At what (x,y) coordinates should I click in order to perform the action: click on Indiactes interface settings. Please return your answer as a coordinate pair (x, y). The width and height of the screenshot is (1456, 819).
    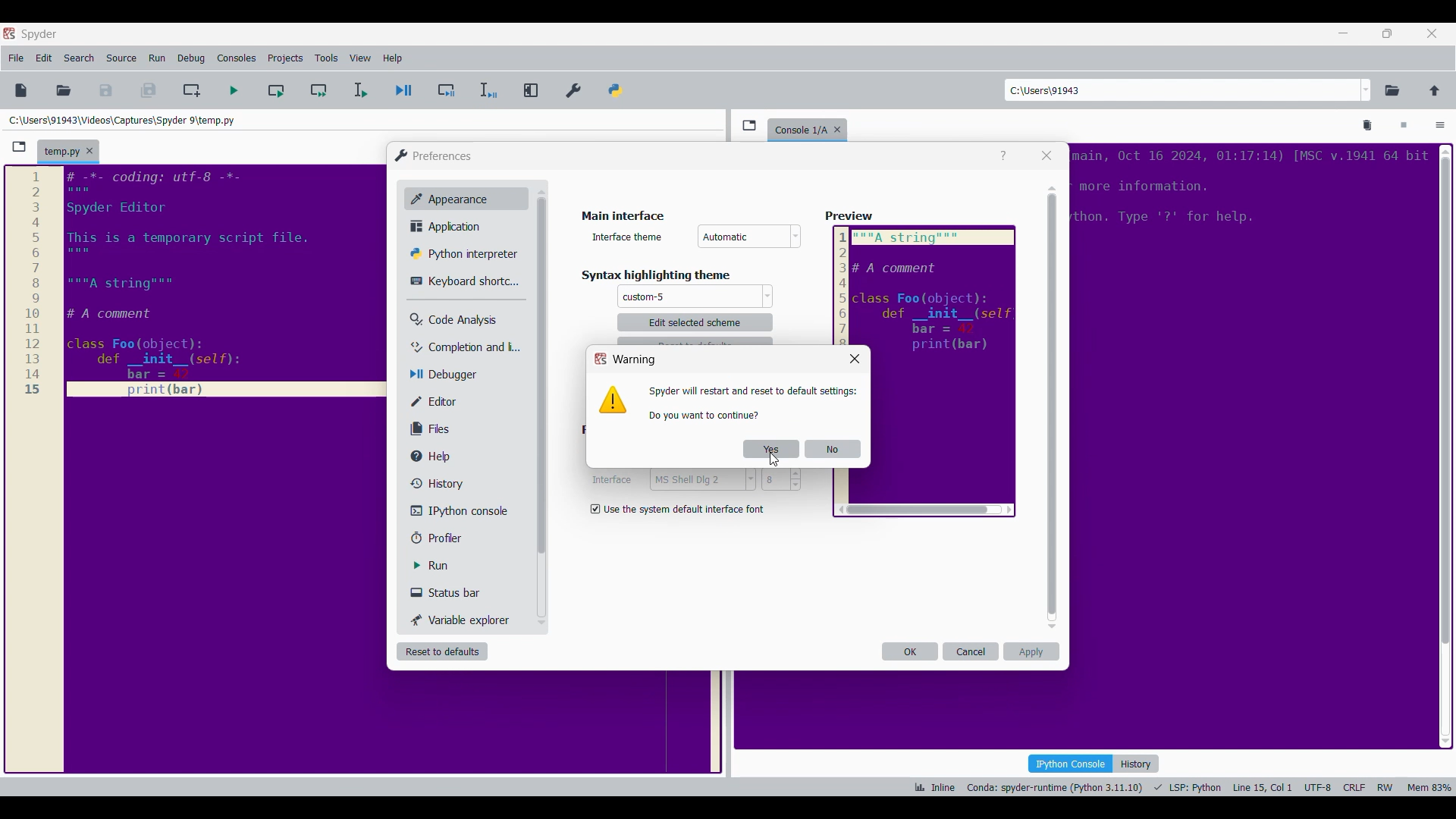
    Looking at the image, I should click on (612, 480).